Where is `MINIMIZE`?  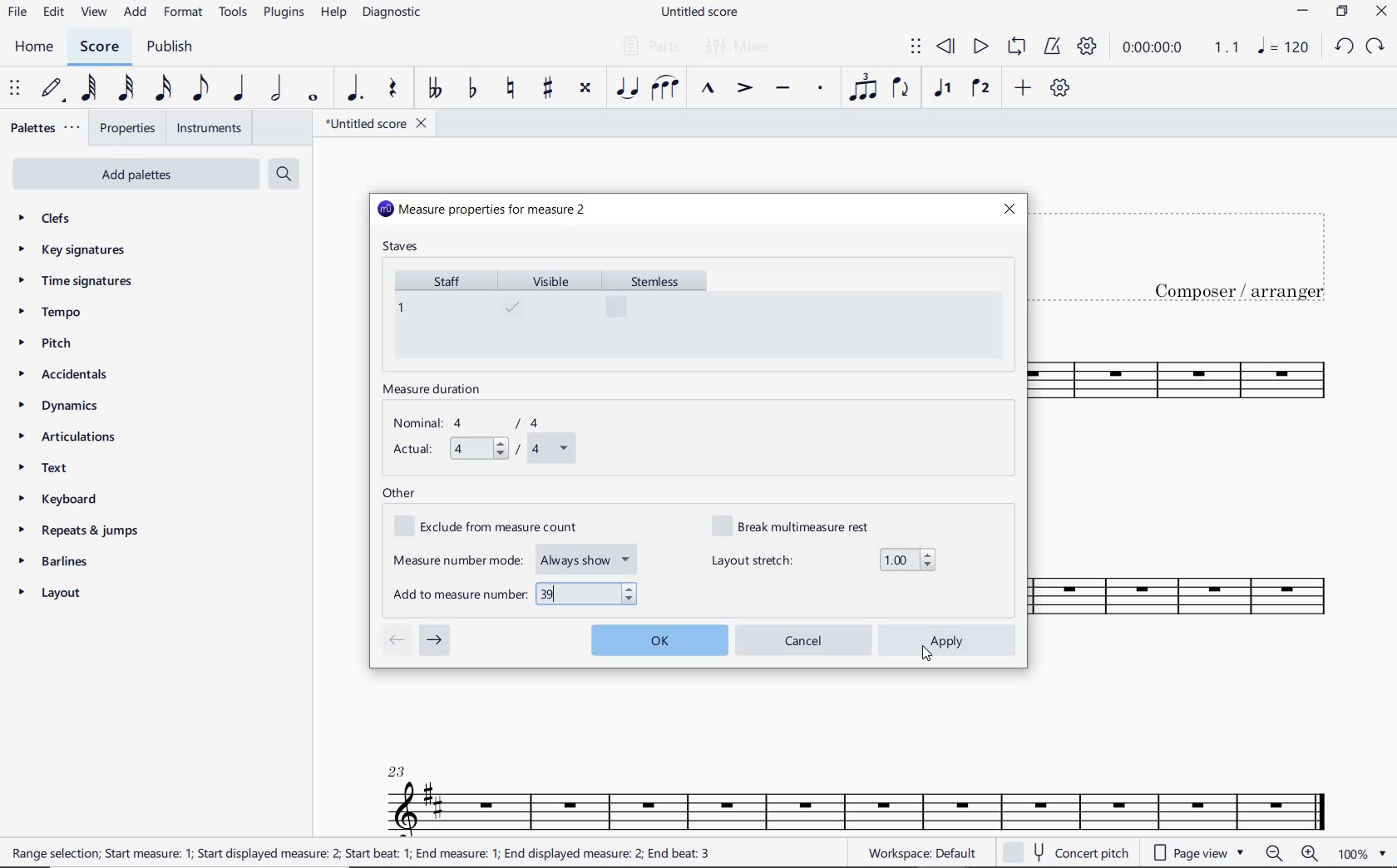
MINIMIZE is located at coordinates (1304, 13).